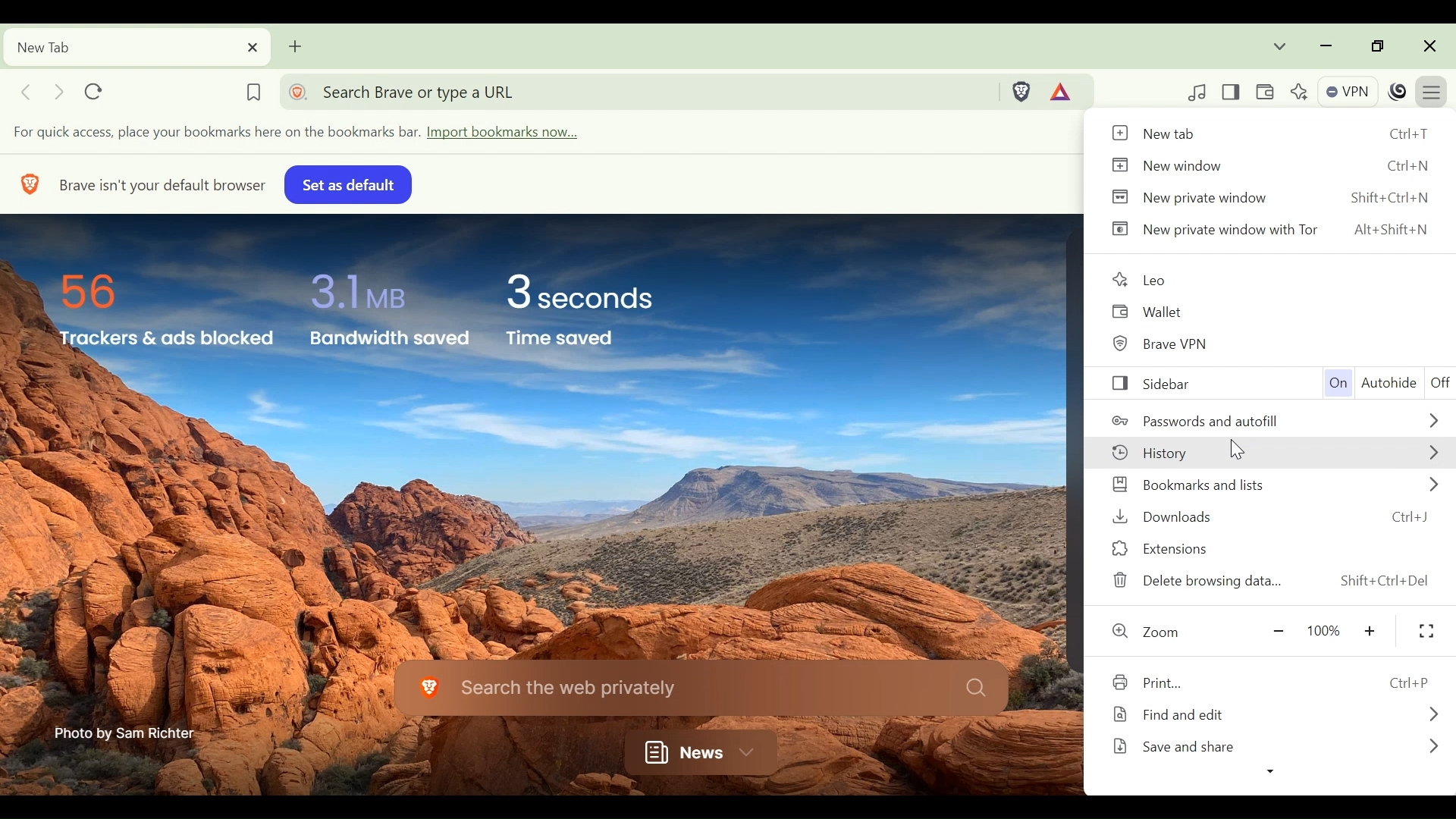 The image size is (1456, 819). I want to click on 3.1 MB, so click(356, 287).